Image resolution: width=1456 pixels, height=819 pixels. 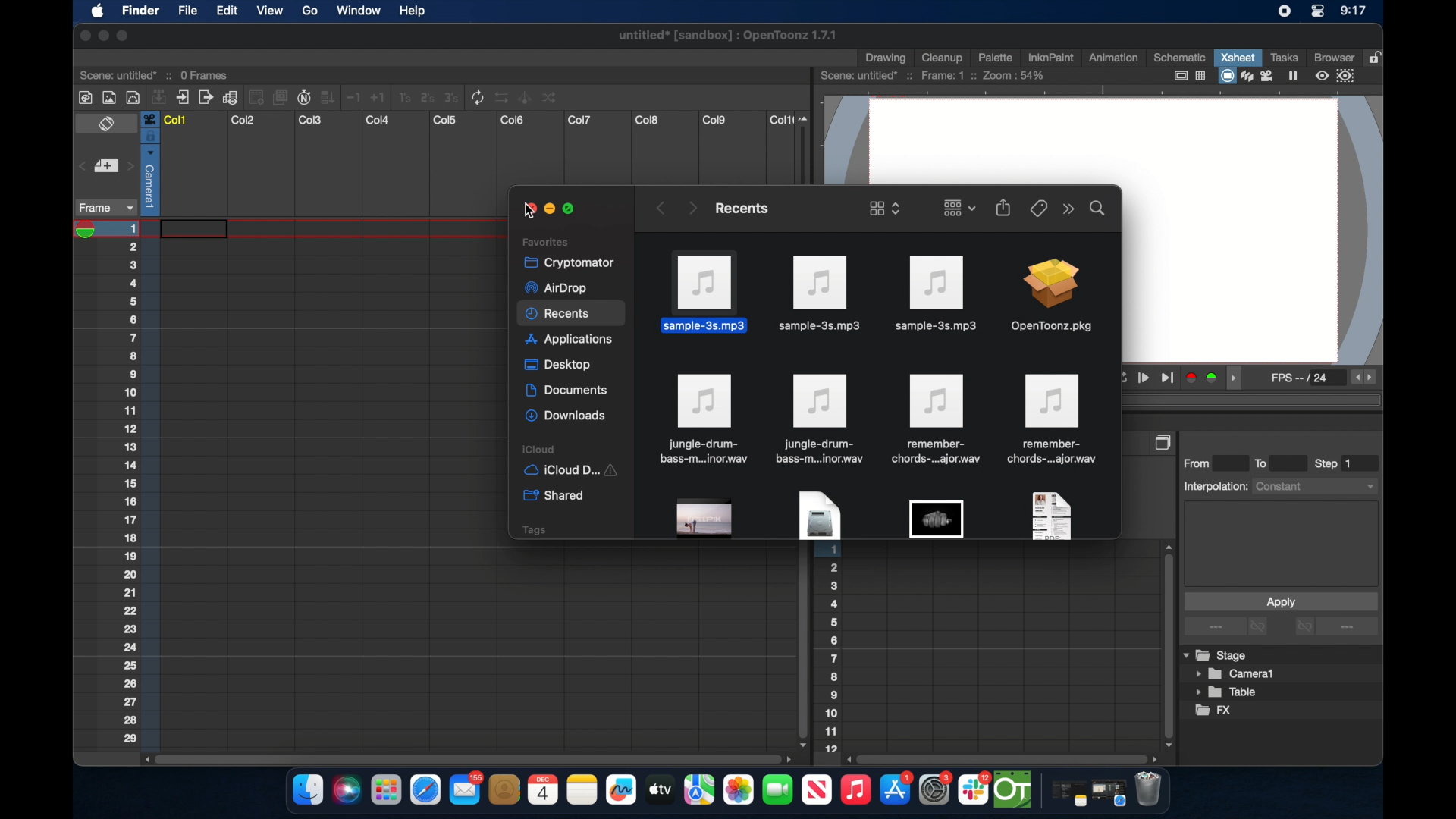 I want to click on view modes, so click(x=1260, y=76).